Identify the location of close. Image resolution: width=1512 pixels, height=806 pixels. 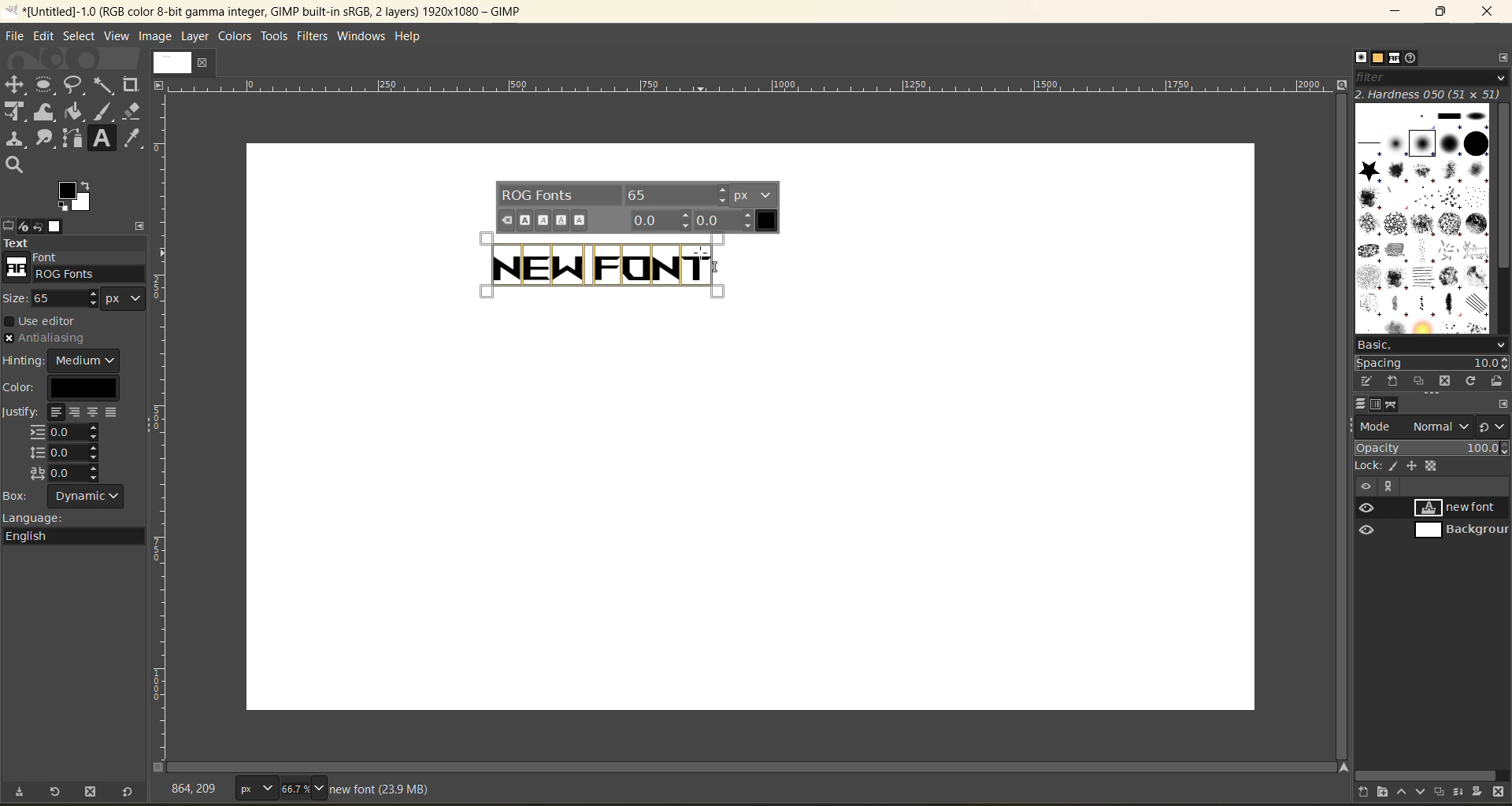
(204, 62).